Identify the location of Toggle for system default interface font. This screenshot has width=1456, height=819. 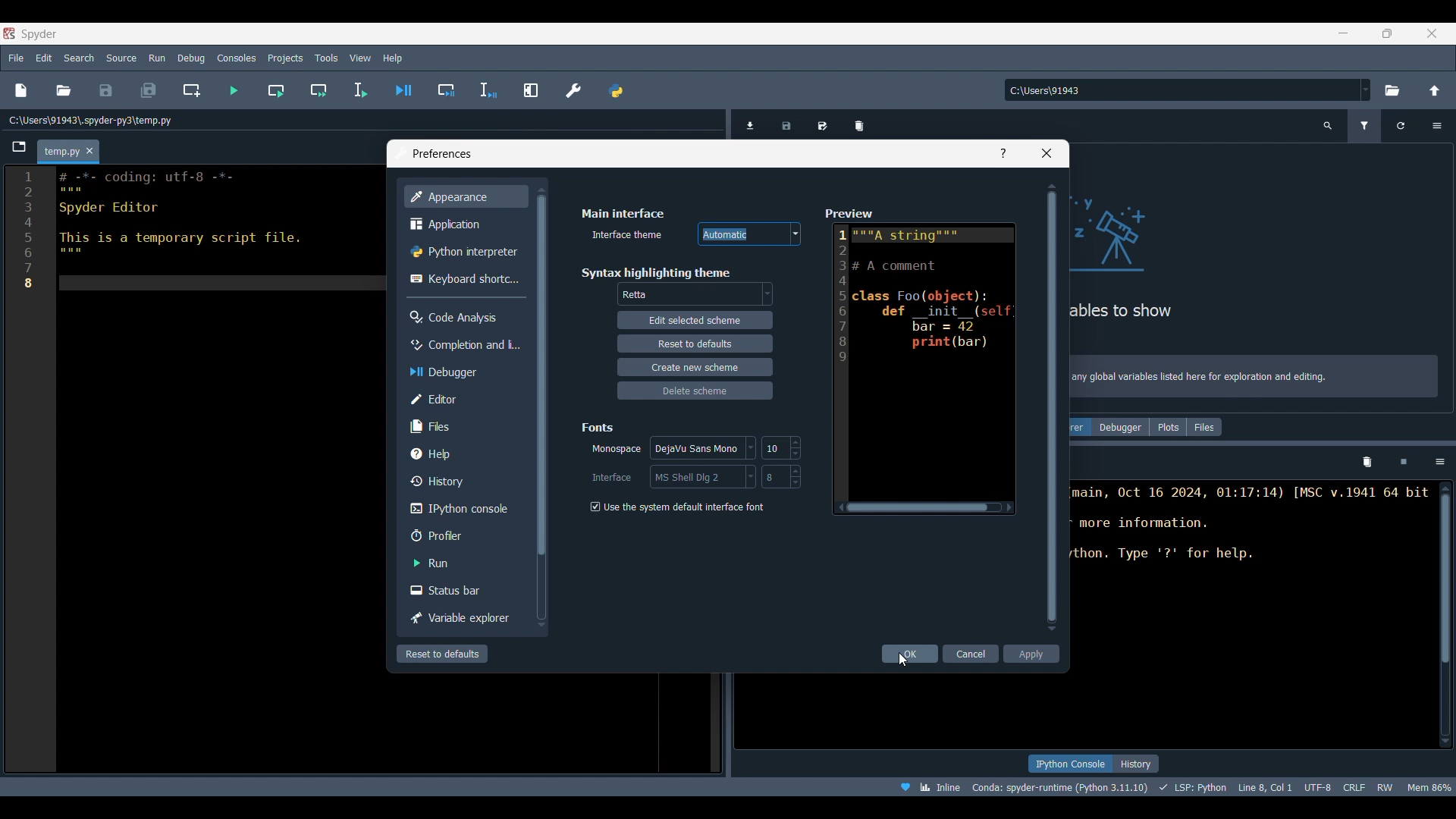
(676, 507).